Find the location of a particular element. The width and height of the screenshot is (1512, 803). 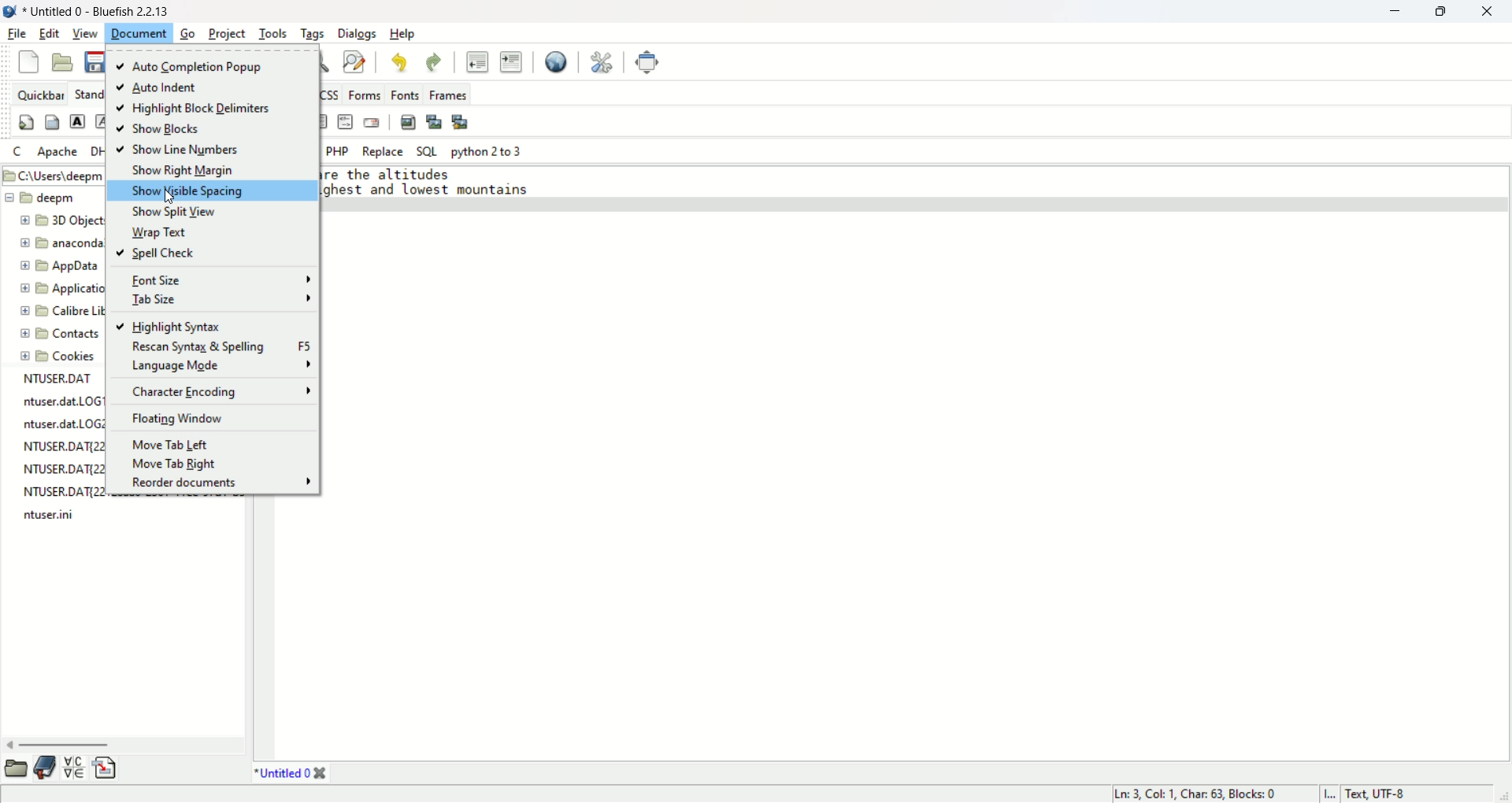

Apache is located at coordinates (61, 150).